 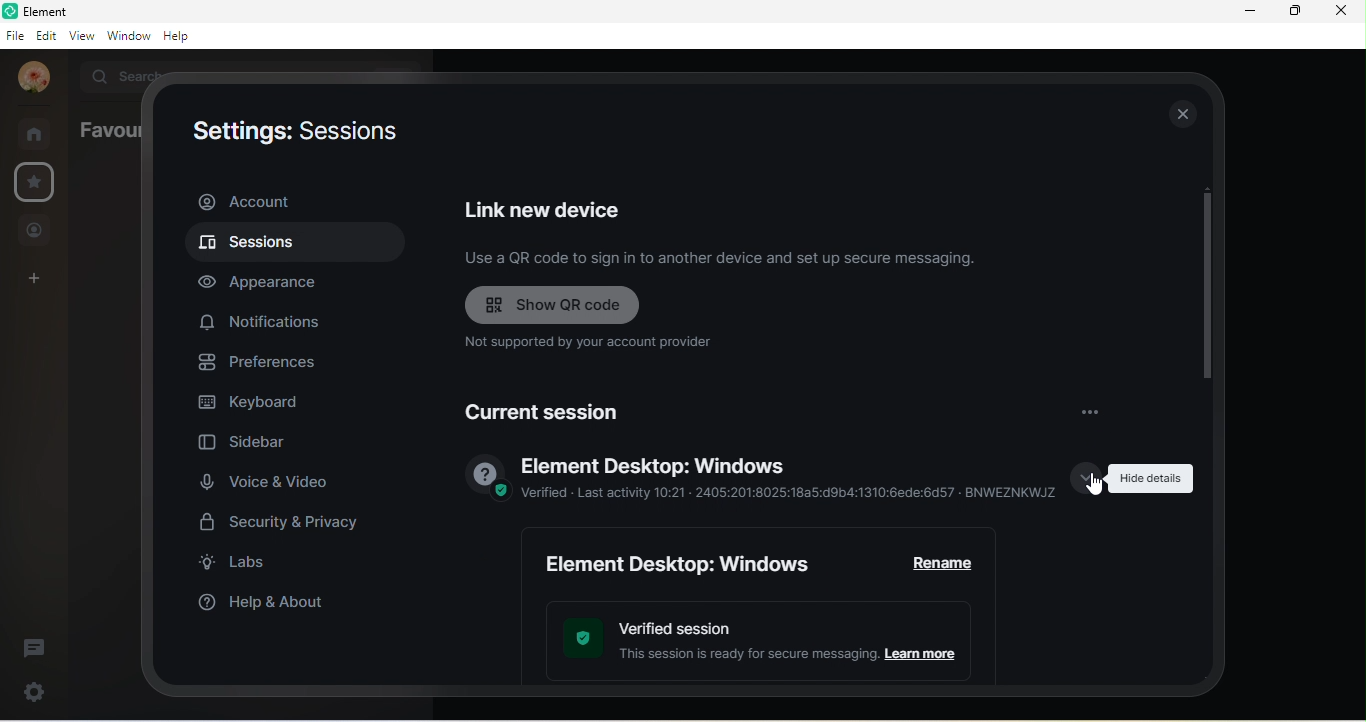 I want to click on threads, so click(x=35, y=649).